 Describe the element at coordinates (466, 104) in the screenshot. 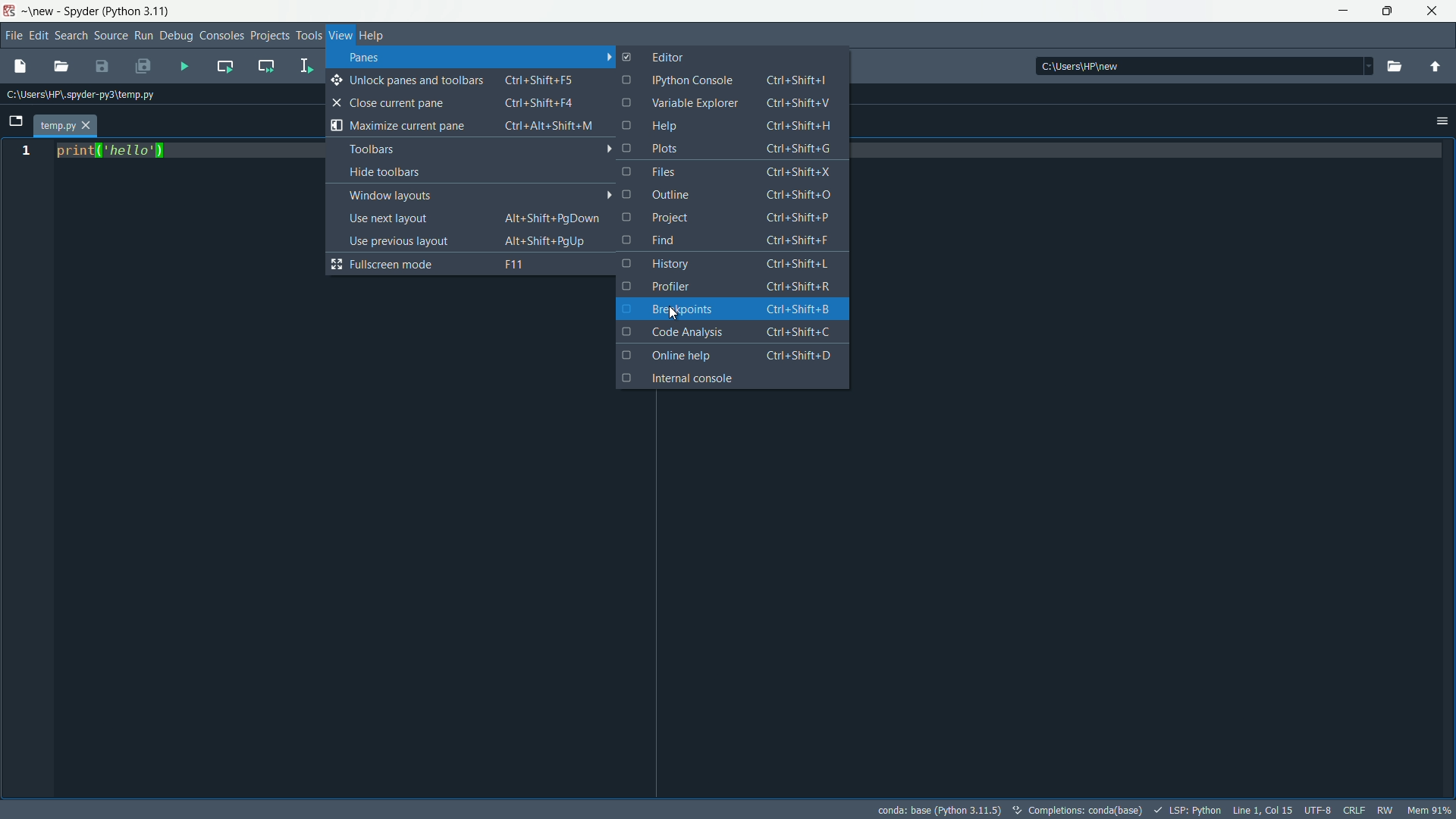

I see `close current pane` at that location.